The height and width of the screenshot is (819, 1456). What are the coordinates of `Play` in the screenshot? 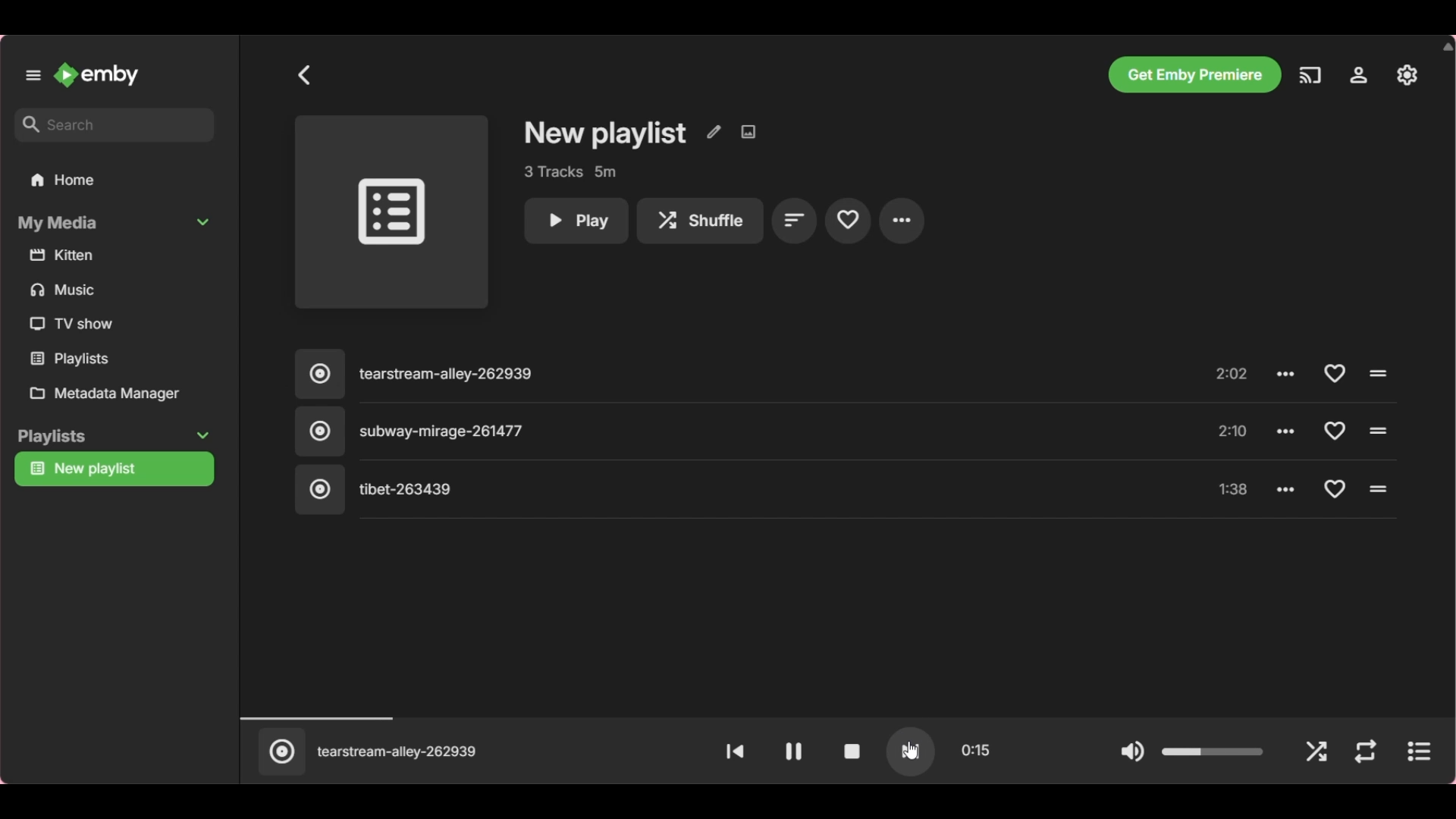 It's located at (576, 221).